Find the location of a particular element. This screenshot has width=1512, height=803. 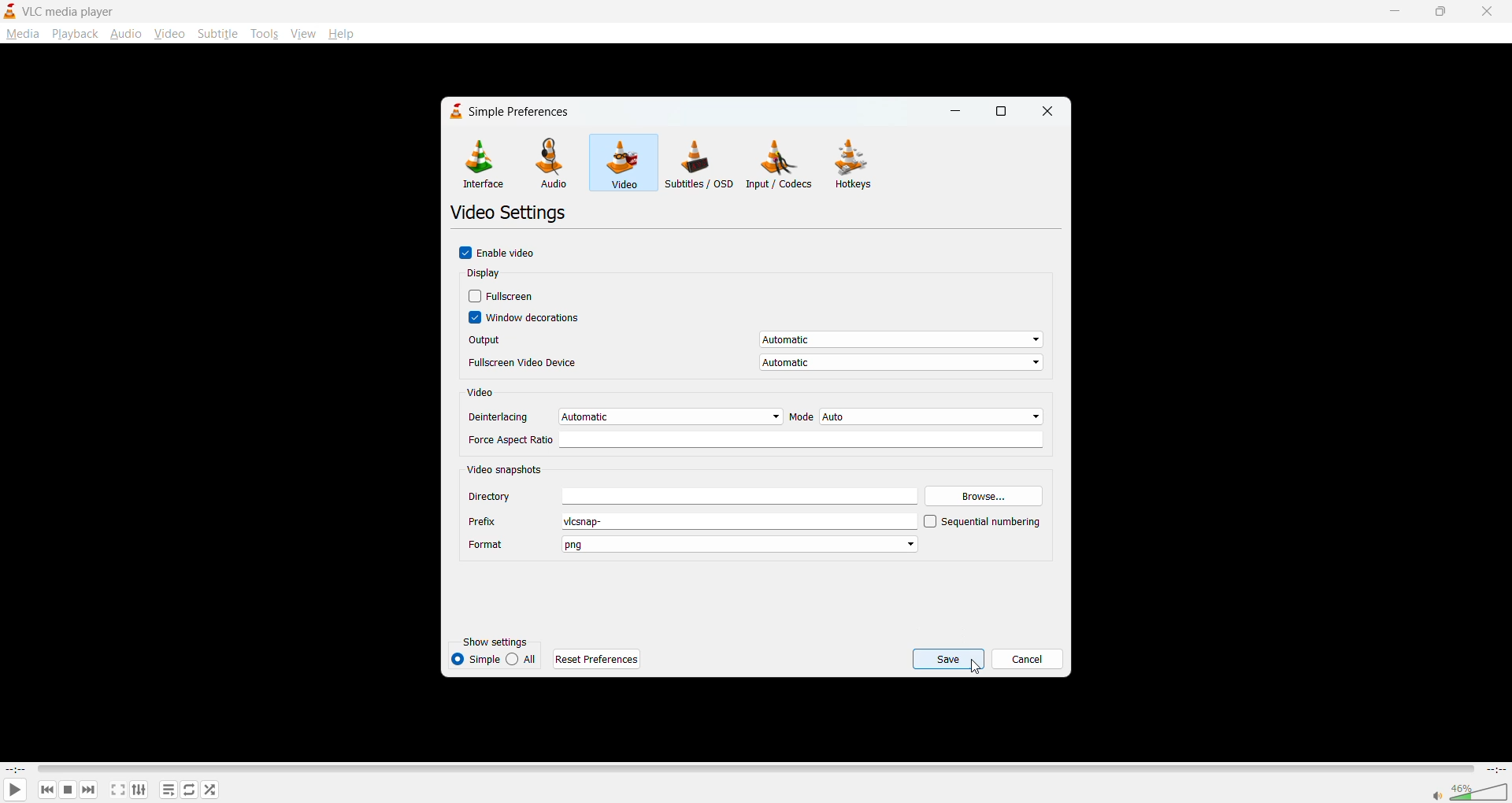

video is located at coordinates (168, 34).